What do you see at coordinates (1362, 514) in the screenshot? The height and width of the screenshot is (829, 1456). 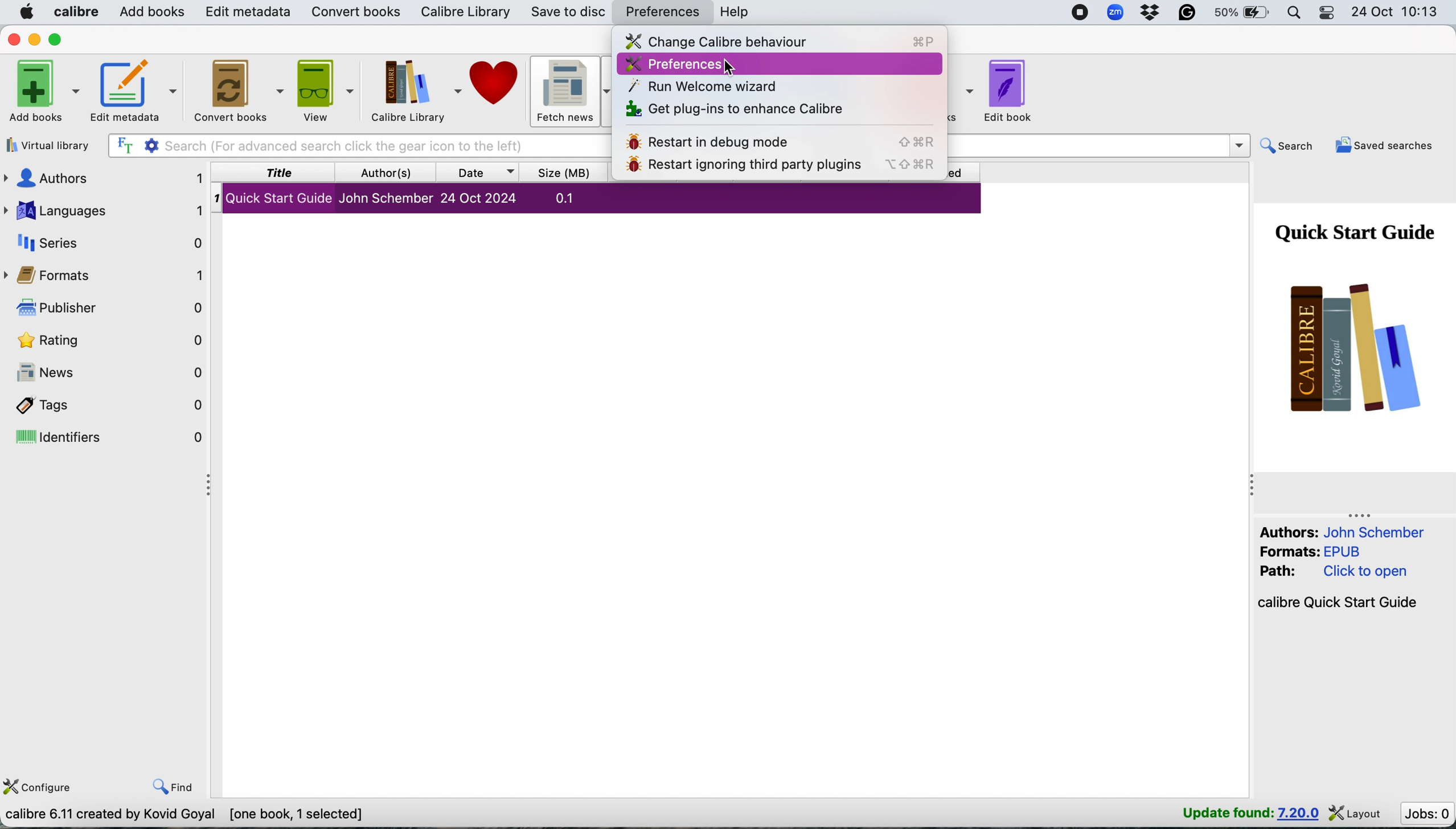 I see `collapse` at bounding box center [1362, 514].